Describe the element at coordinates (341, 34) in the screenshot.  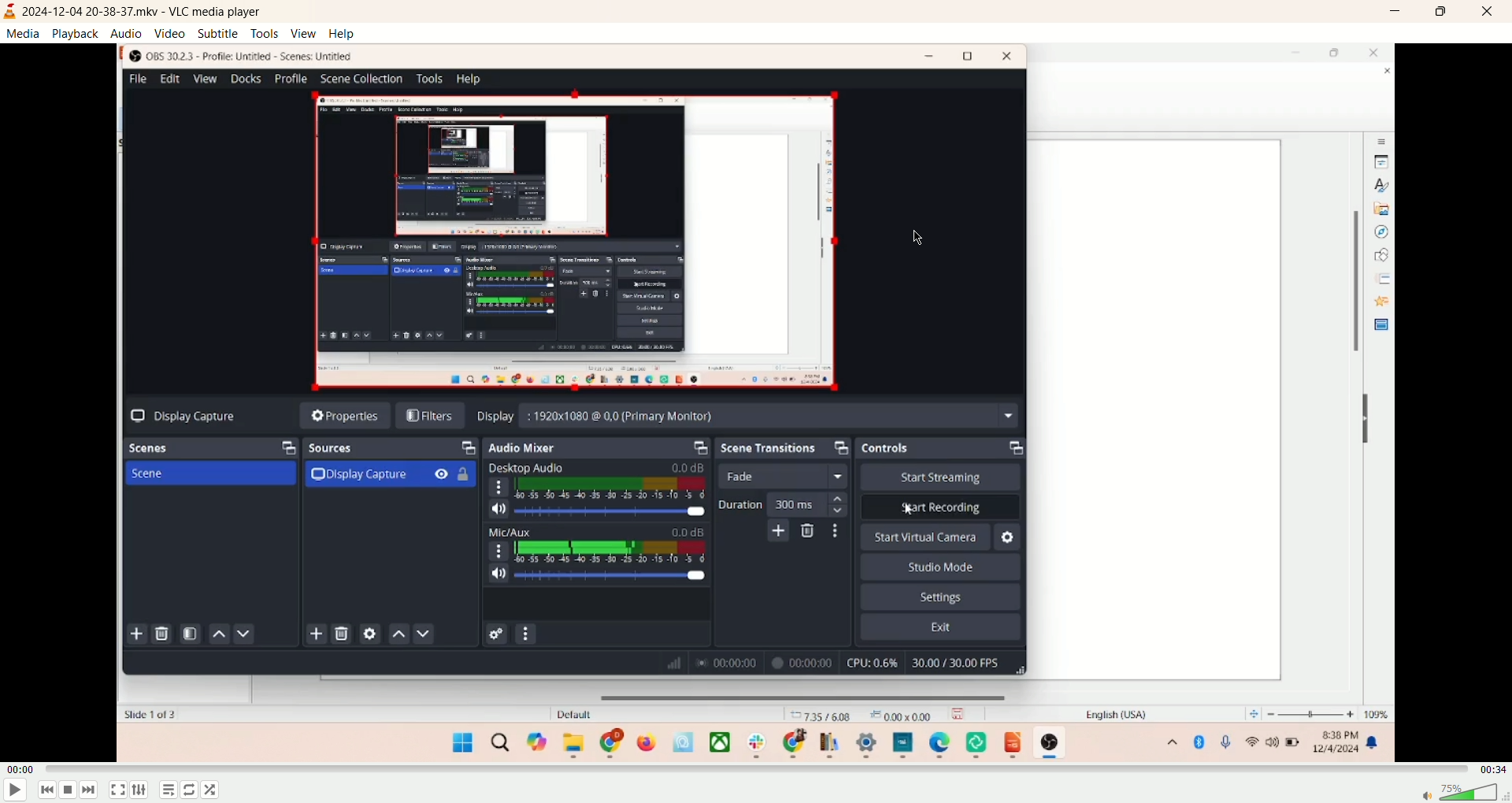
I see `help` at that location.